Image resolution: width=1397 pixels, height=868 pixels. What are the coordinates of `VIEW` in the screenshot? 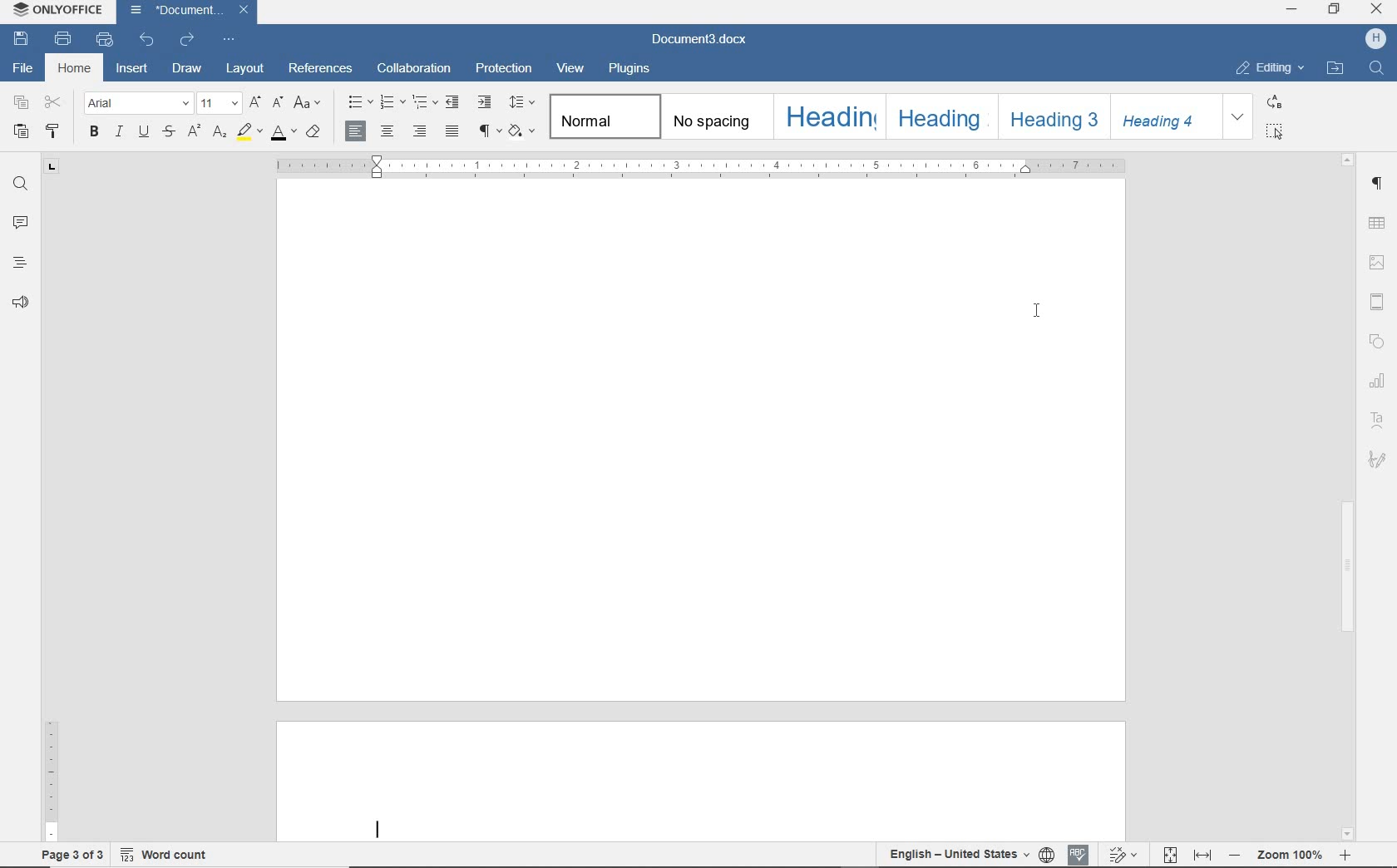 It's located at (572, 68).